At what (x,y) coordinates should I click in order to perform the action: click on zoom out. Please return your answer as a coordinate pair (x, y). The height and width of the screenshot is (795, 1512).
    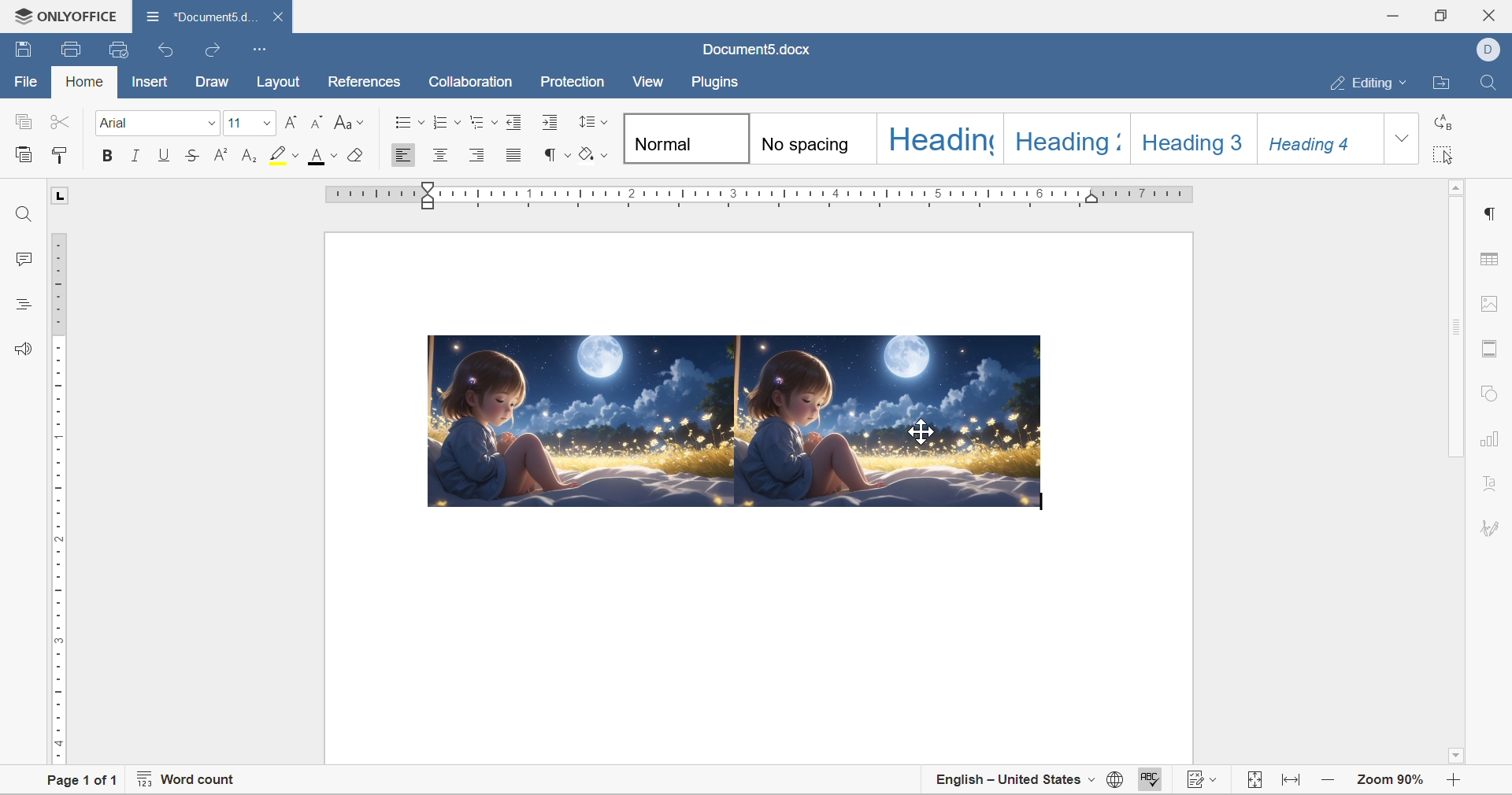
    Looking at the image, I should click on (1451, 783).